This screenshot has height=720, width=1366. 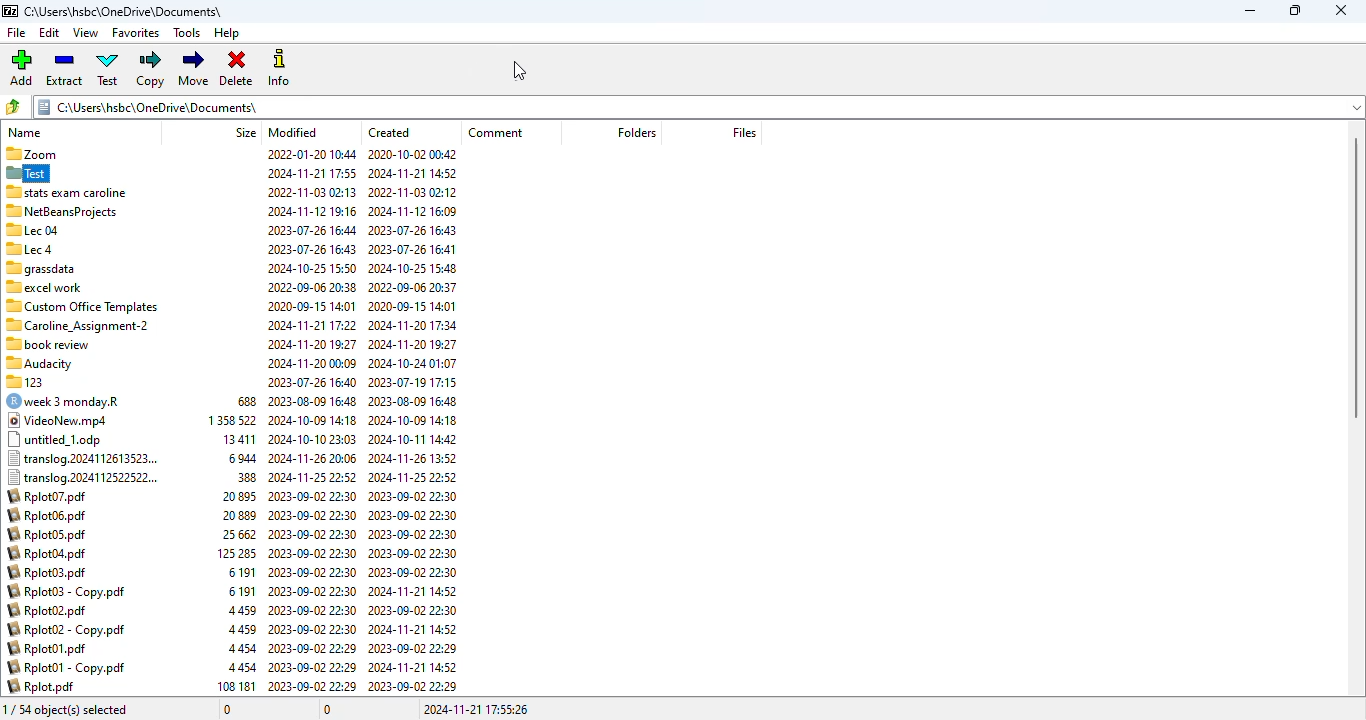 What do you see at coordinates (312, 268) in the screenshot?
I see `2024-10-25 15:50` at bounding box center [312, 268].